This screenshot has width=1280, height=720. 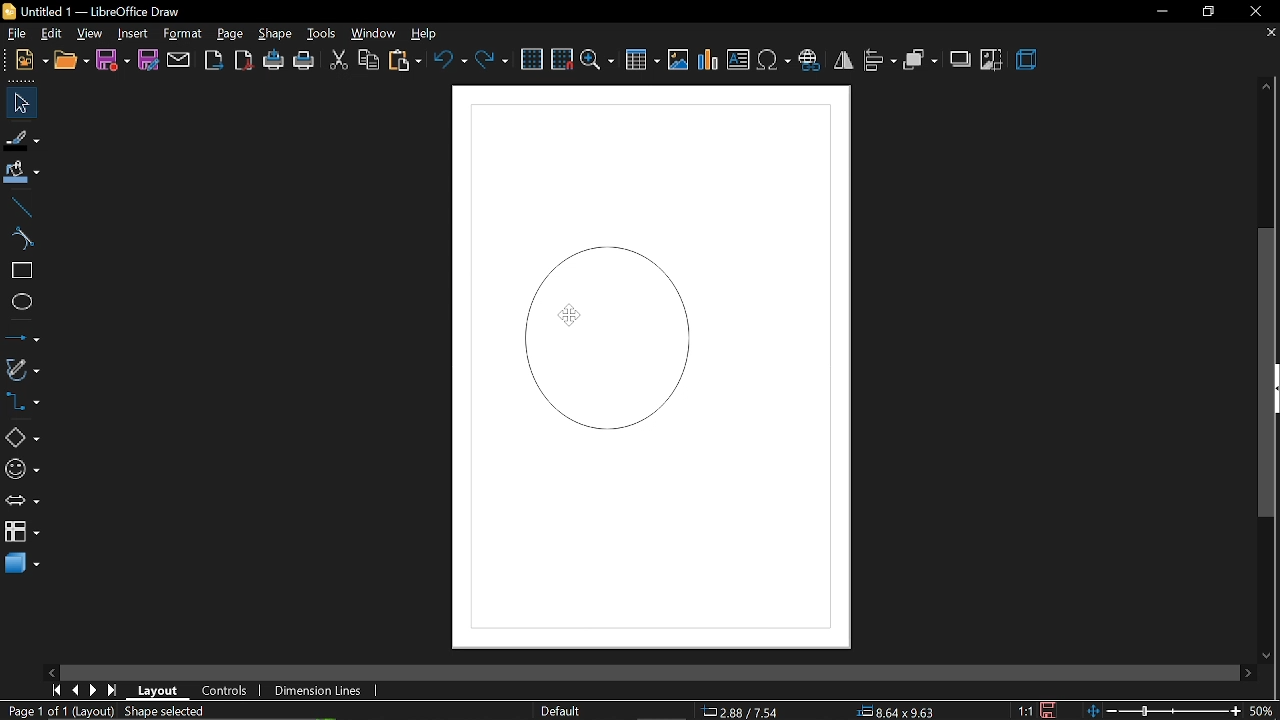 What do you see at coordinates (114, 691) in the screenshot?
I see `go to last page` at bounding box center [114, 691].